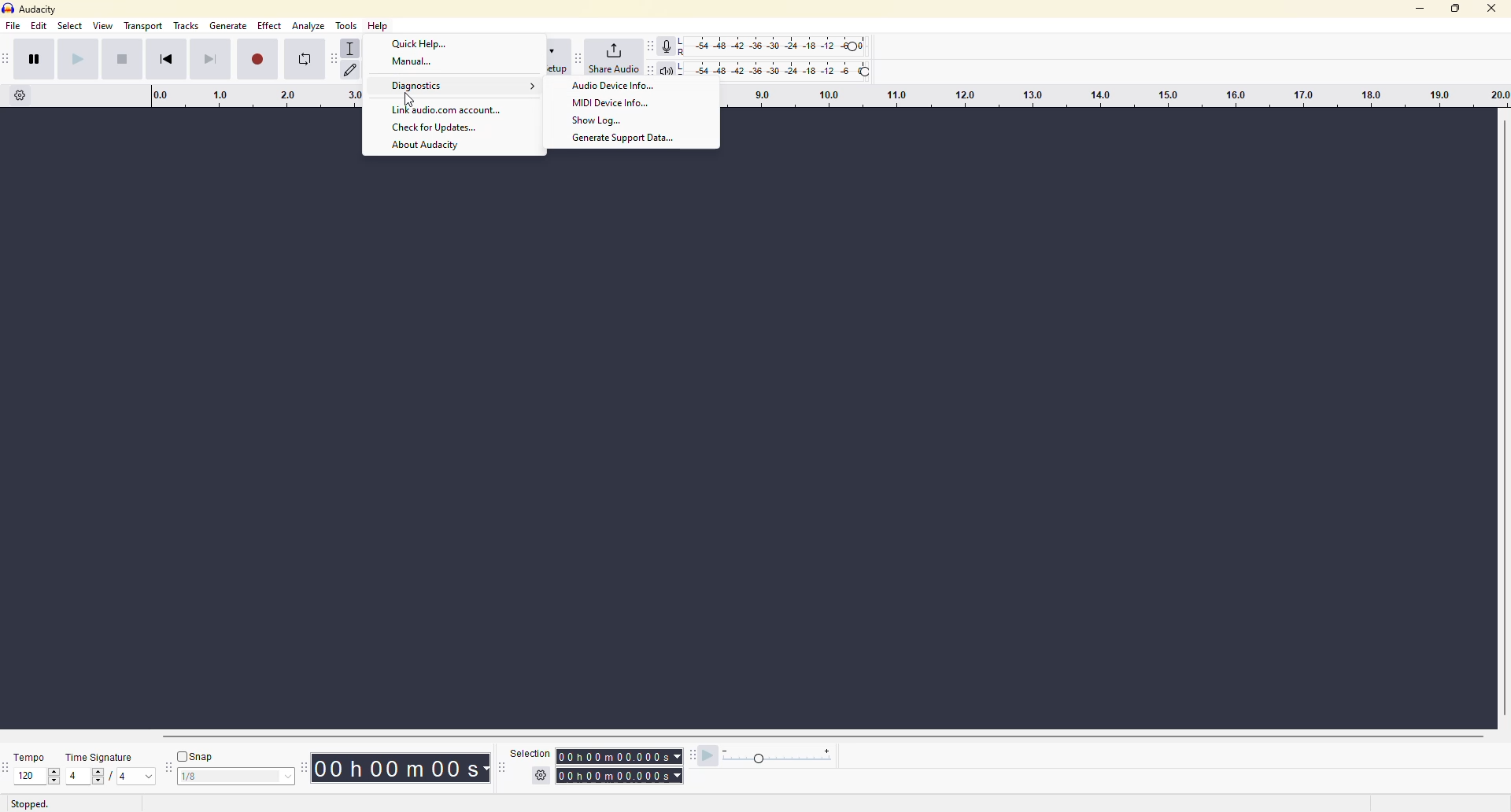 The width and height of the screenshot is (1511, 812). What do you see at coordinates (289, 776) in the screenshot?
I see `drop down` at bounding box center [289, 776].